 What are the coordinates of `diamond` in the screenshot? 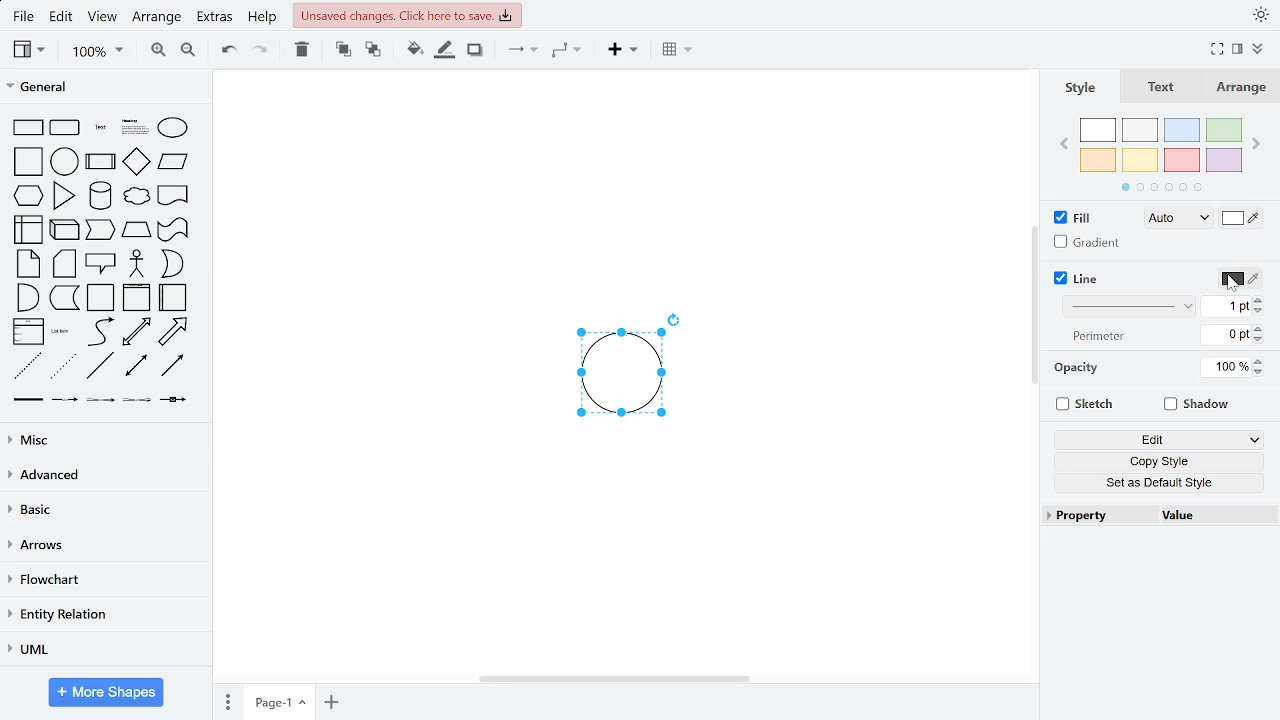 It's located at (137, 163).